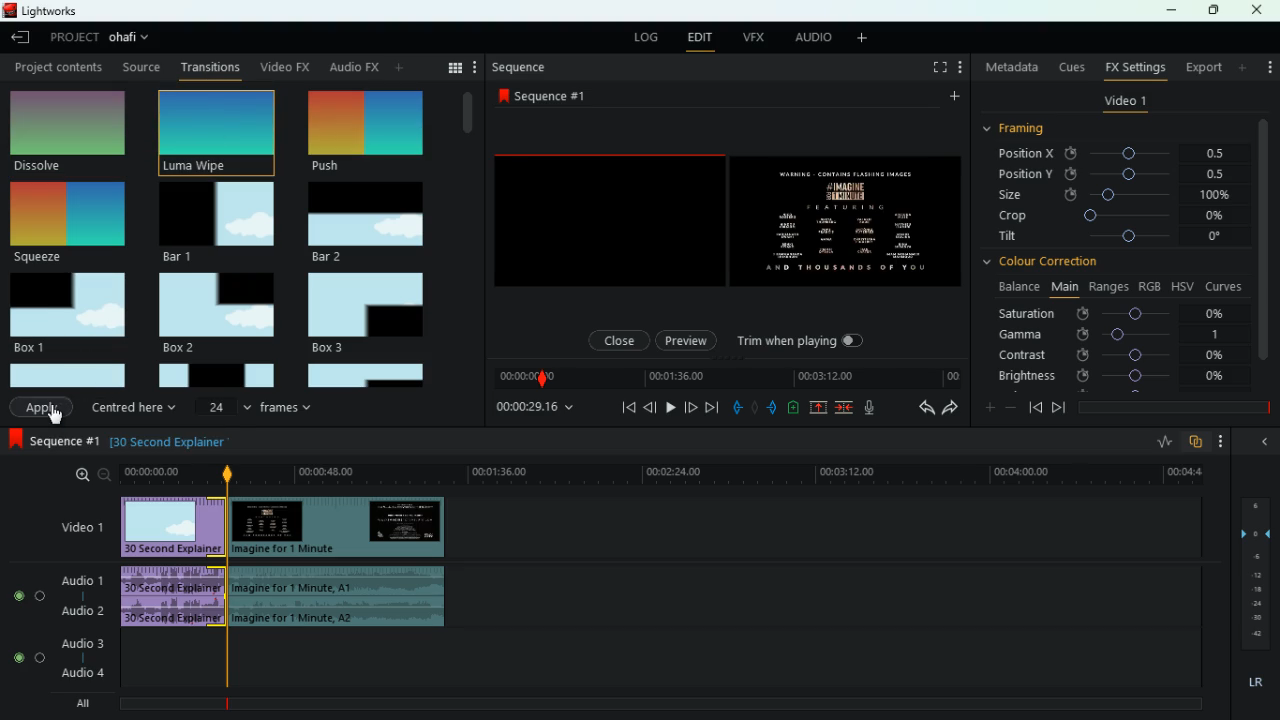 The height and width of the screenshot is (720, 1280). What do you see at coordinates (176, 599) in the screenshot?
I see `audio` at bounding box center [176, 599].